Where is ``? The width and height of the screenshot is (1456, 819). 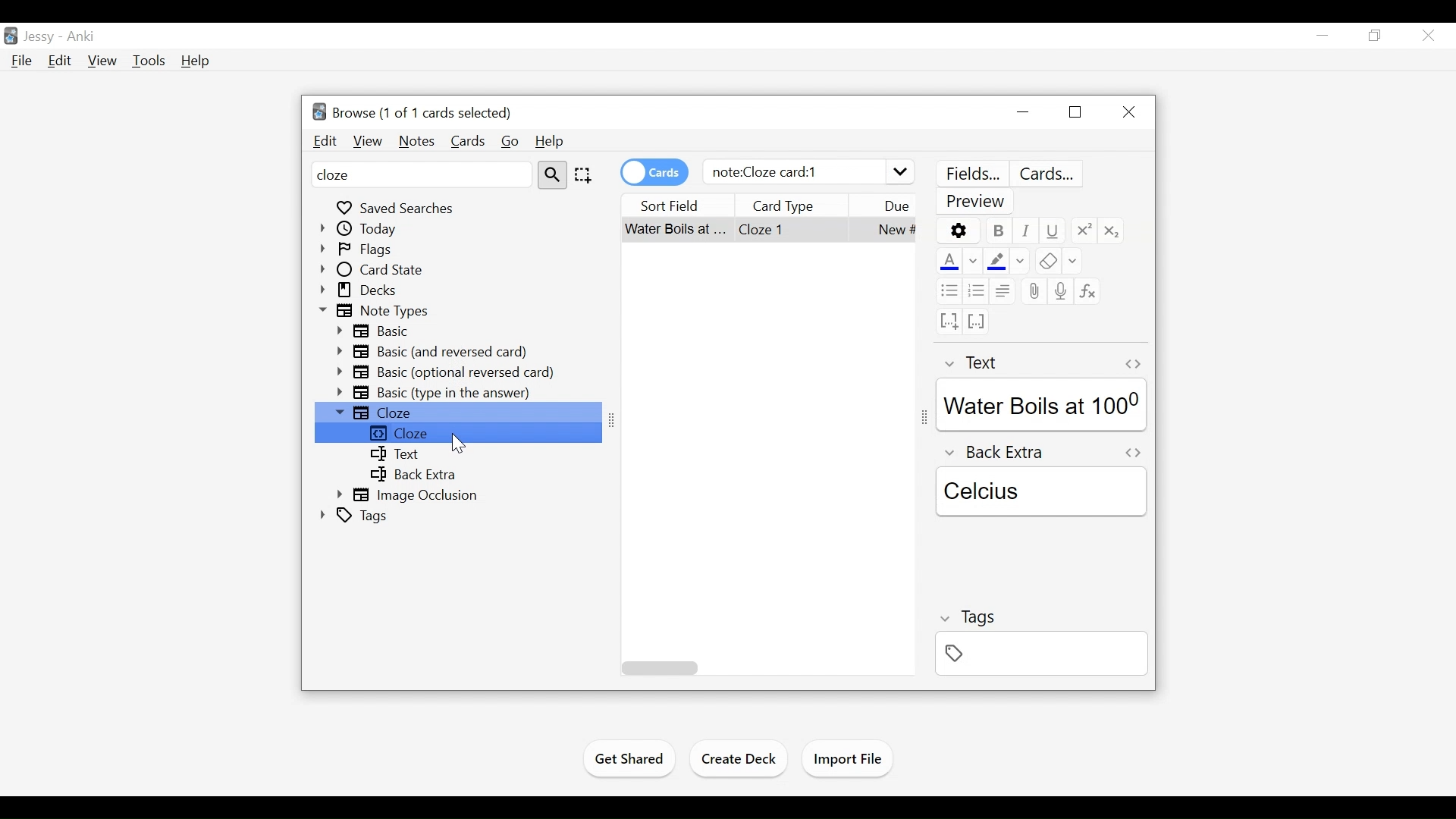
 is located at coordinates (359, 251).